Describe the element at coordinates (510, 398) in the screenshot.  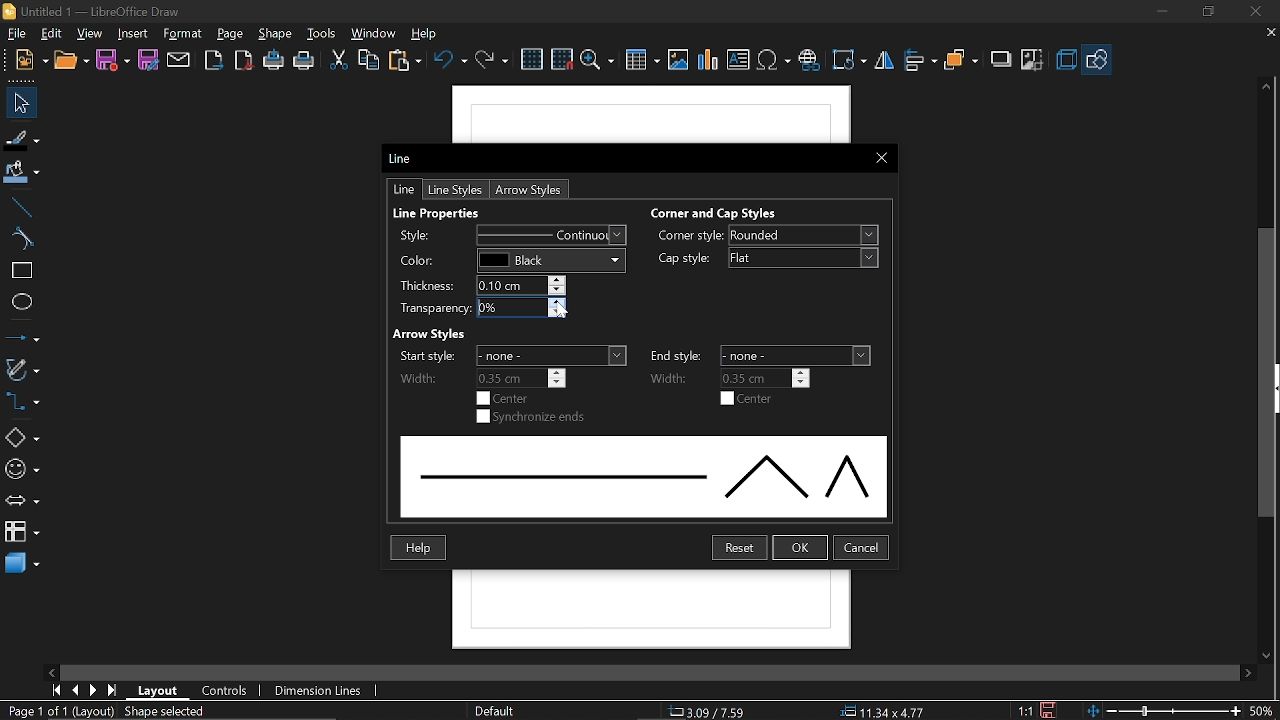
I see `center` at that location.